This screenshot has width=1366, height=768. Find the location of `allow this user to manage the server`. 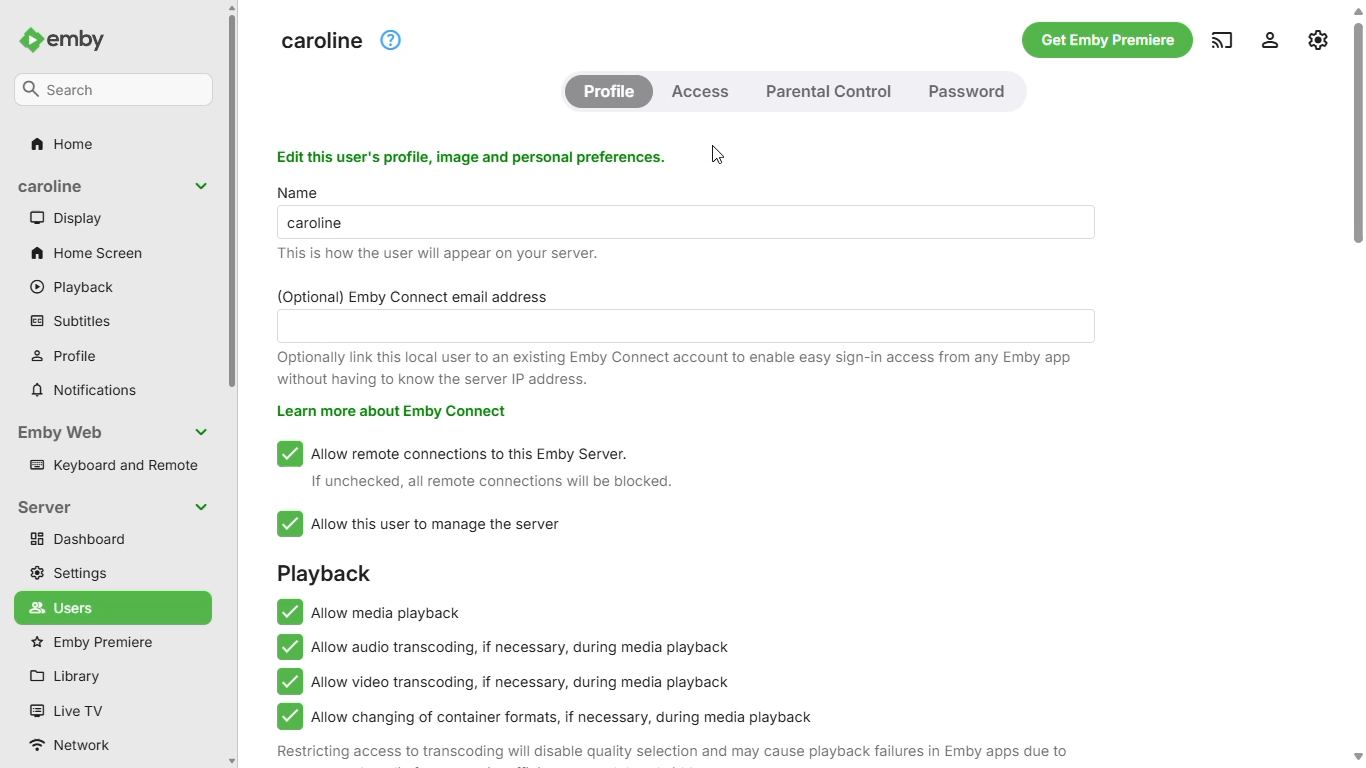

allow this user to manage the server is located at coordinates (418, 524).